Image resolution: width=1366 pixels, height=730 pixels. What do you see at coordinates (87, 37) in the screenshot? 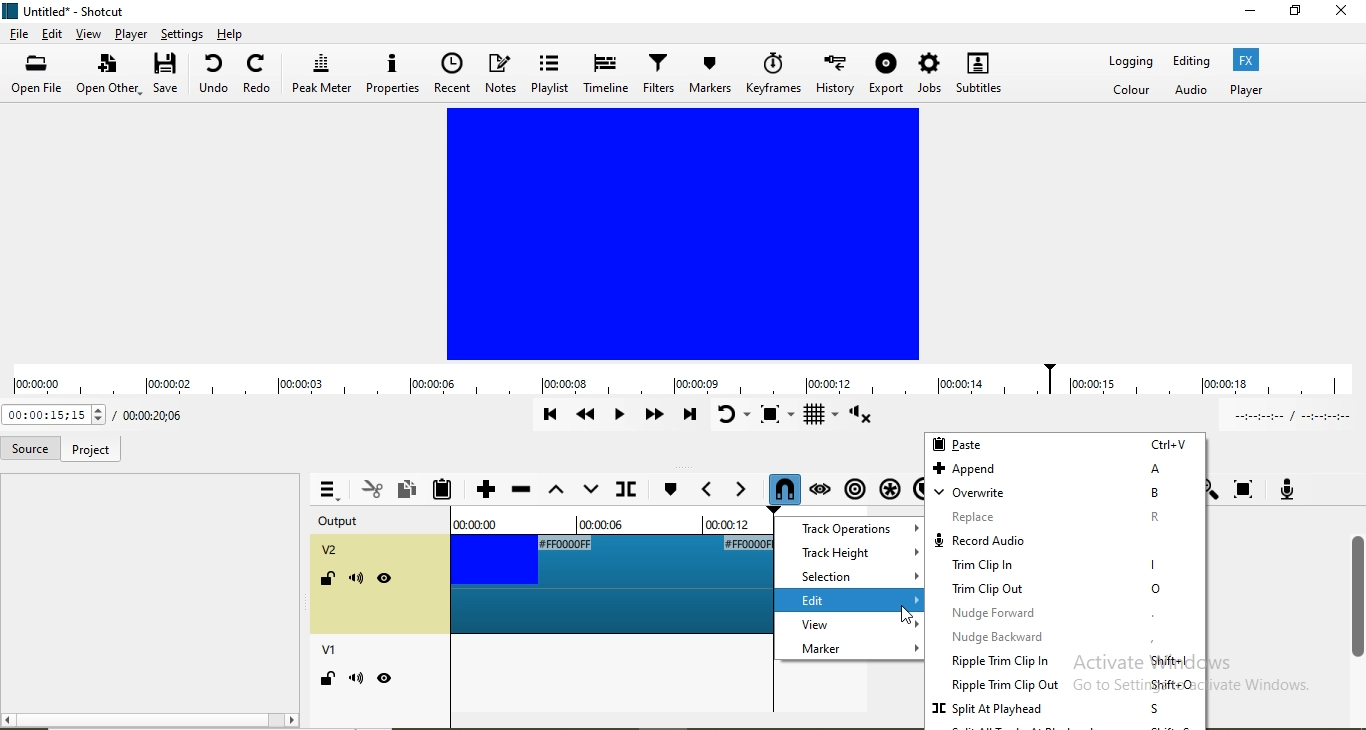
I see `view` at bounding box center [87, 37].